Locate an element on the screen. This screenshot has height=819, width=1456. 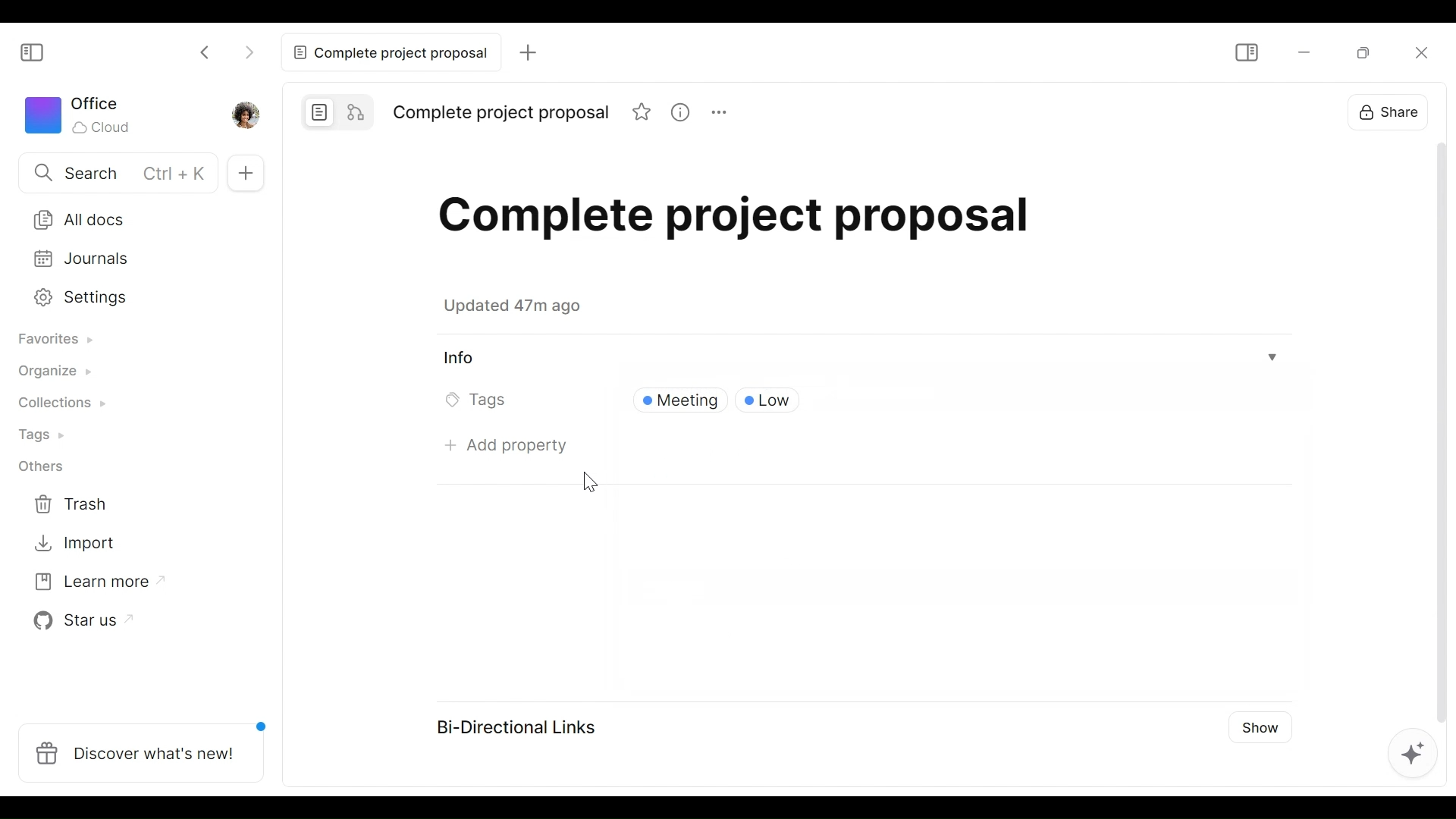
Share is located at coordinates (1391, 111).